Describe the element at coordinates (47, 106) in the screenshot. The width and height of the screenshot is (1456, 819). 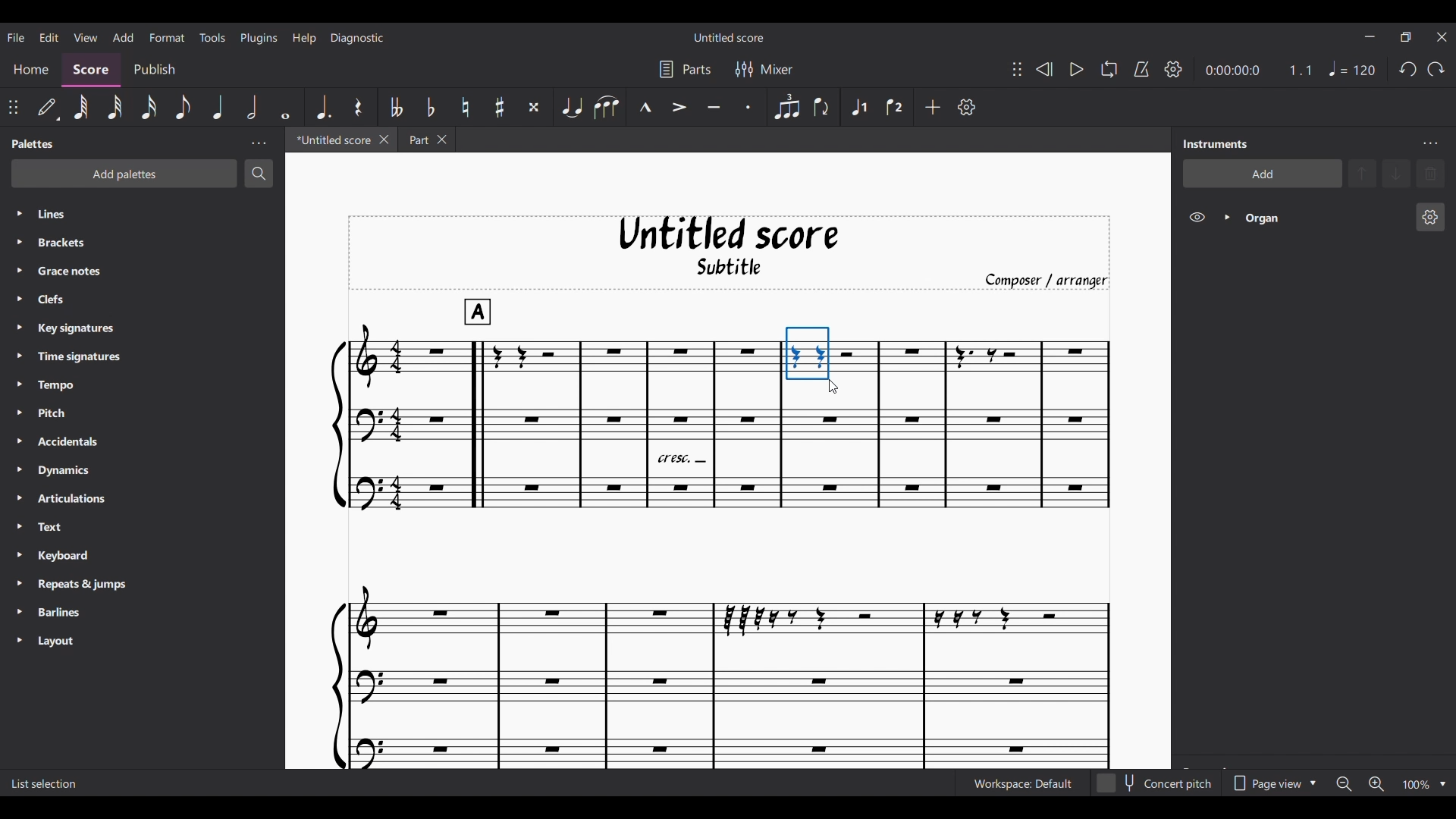
I see `Default` at that location.